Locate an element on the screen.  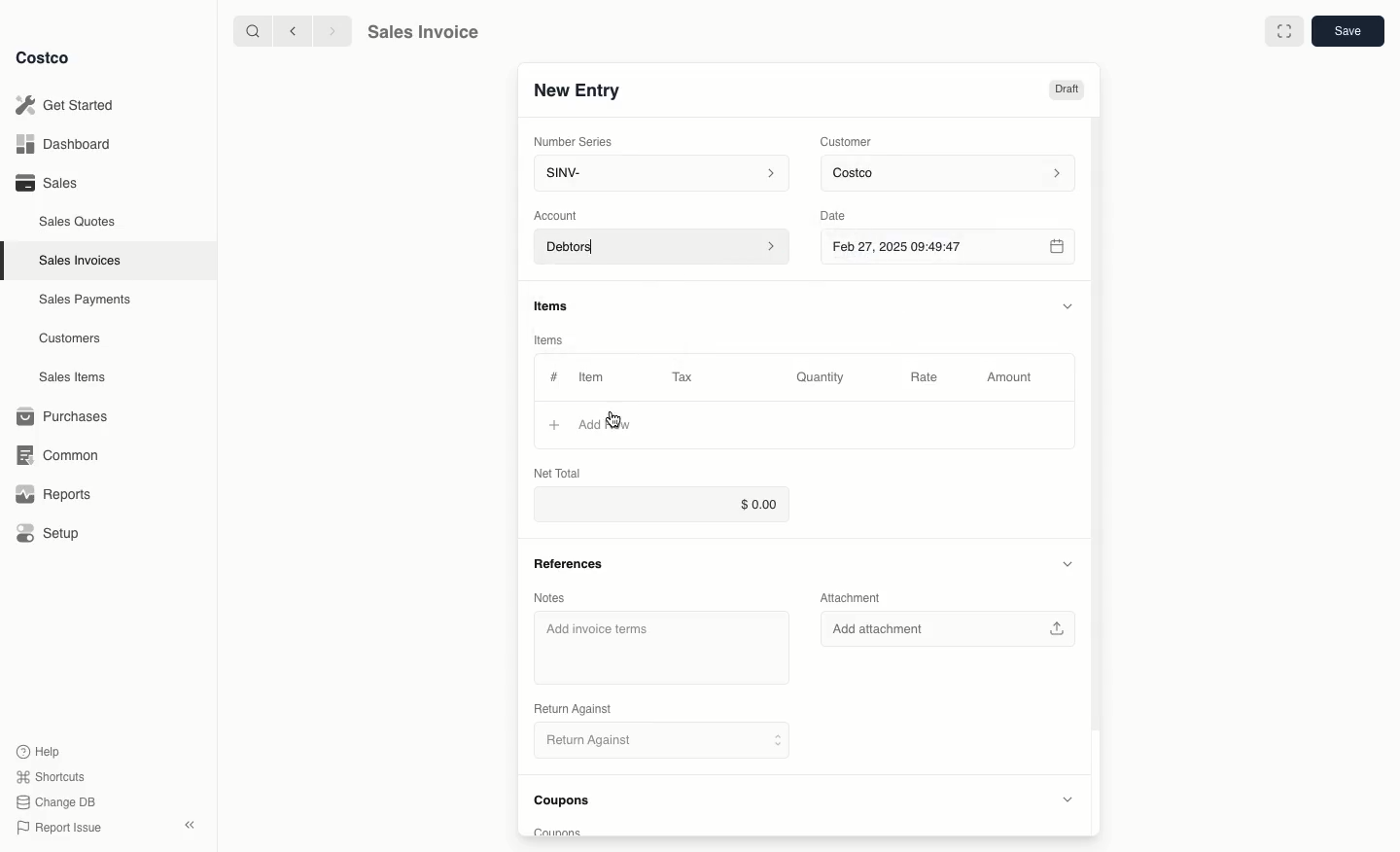
References is located at coordinates (567, 563).